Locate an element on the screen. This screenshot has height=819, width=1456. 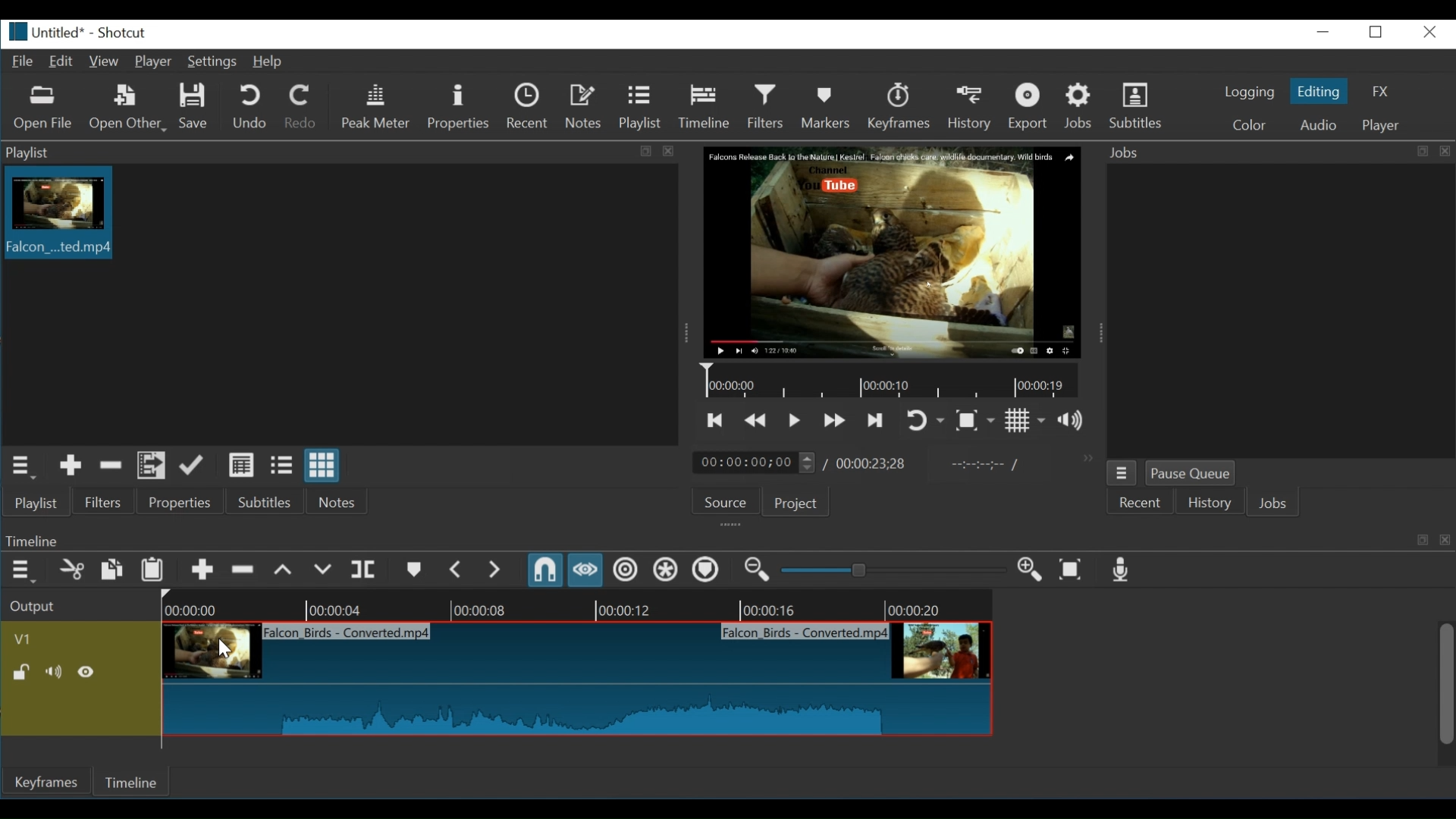
Subtitles is located at coordinates (1140, 104).